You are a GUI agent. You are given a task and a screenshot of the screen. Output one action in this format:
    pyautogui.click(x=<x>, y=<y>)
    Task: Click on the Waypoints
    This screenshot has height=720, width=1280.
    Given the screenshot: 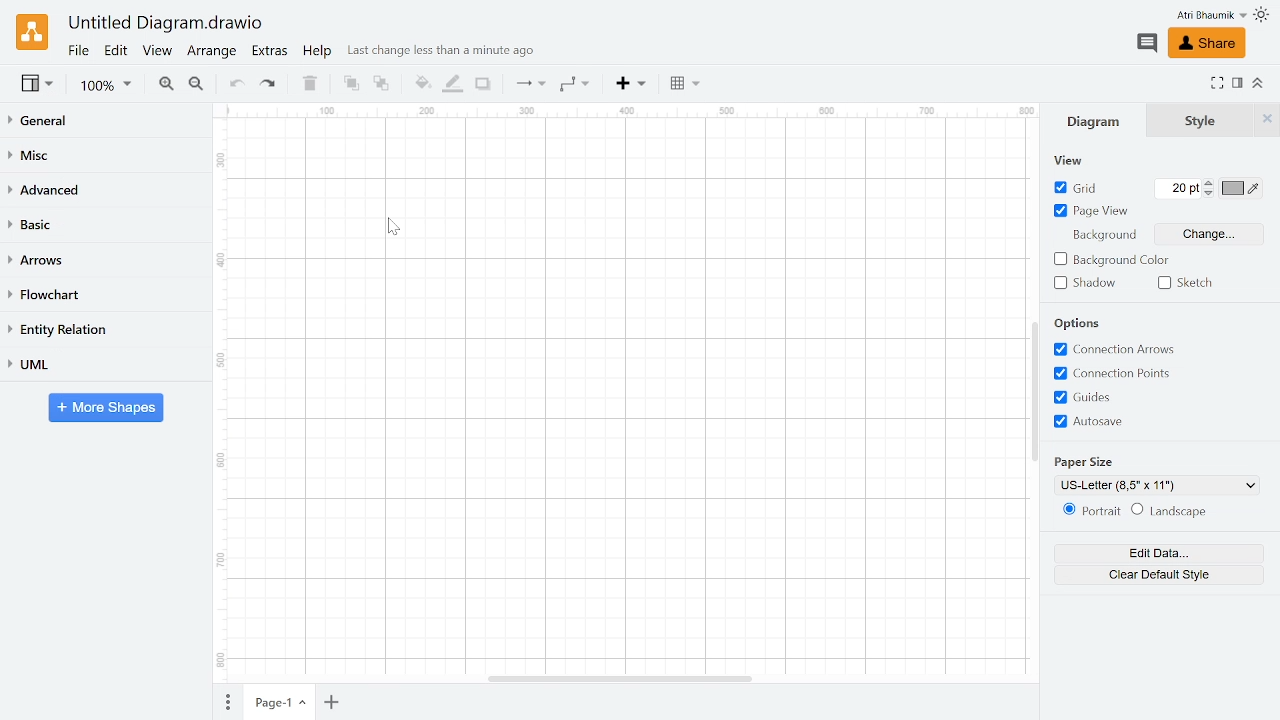 What is the action you would take?
    pyautogui.click(x=574, y=85)
    